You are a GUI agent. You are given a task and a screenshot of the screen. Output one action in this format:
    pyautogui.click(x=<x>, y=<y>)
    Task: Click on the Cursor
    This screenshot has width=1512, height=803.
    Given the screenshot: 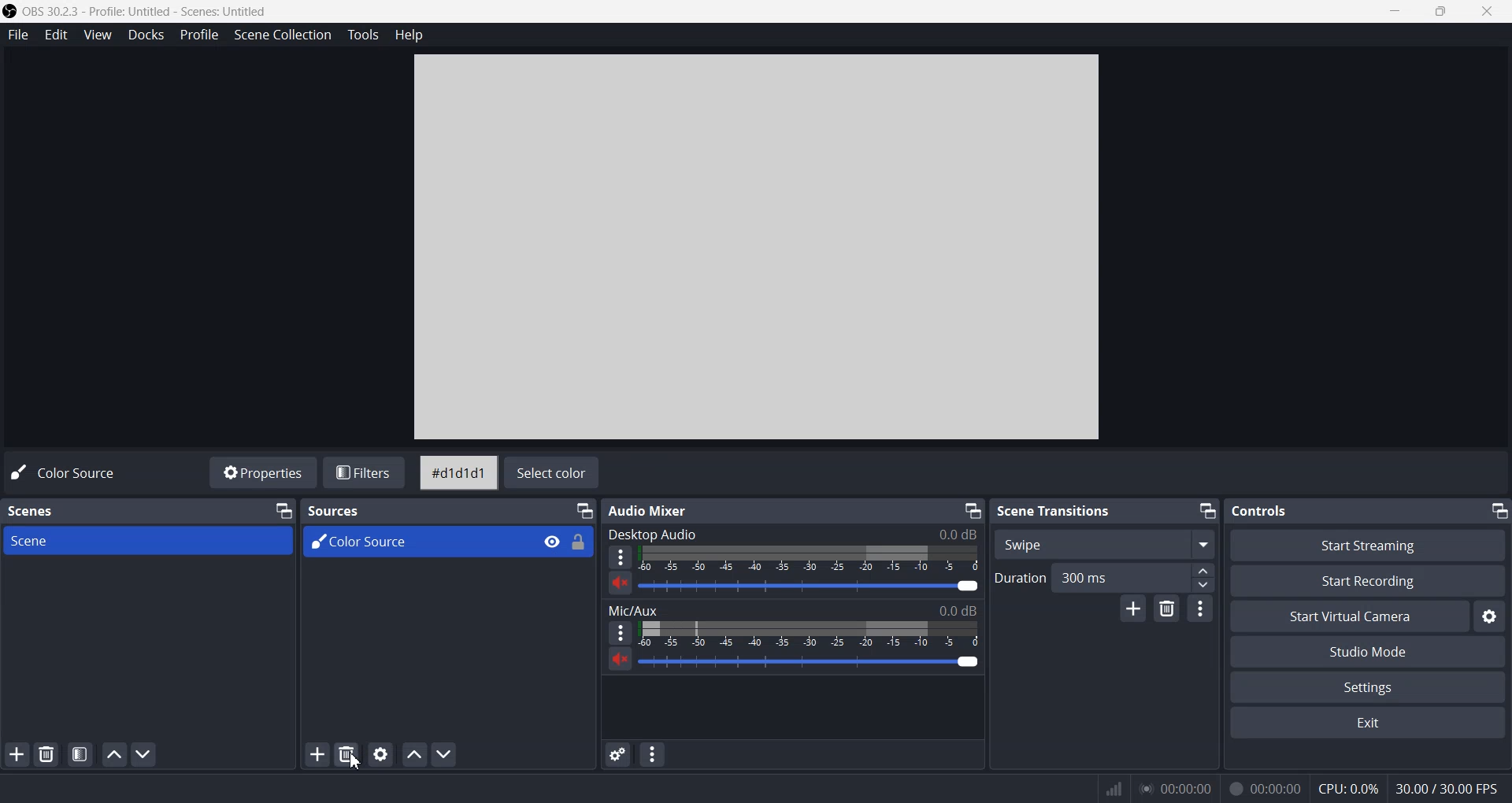 What is the action you would take?
    pyautogui.click(x=356, y=760)
    